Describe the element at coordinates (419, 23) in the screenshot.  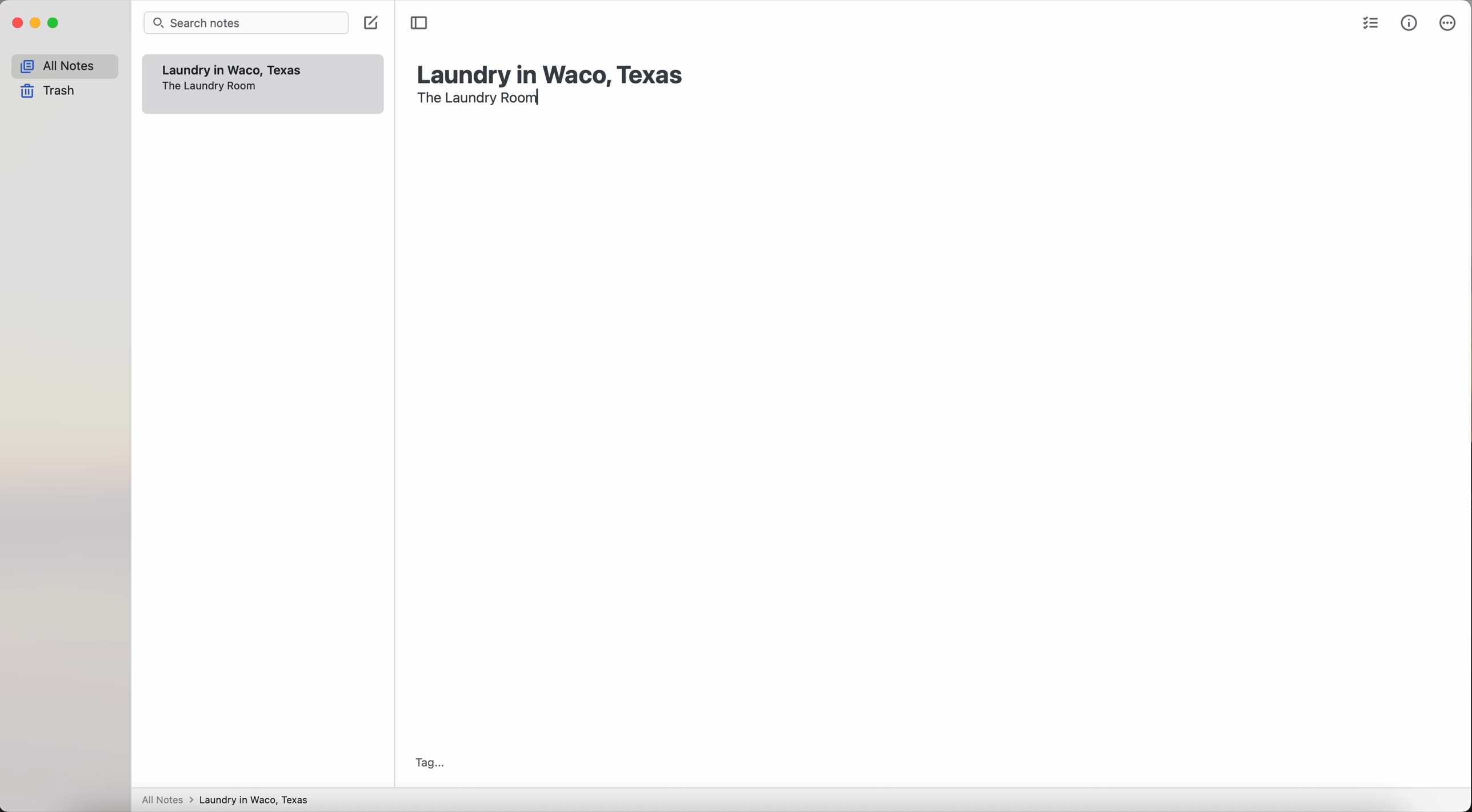
I see `toggle sidebar` at that location.